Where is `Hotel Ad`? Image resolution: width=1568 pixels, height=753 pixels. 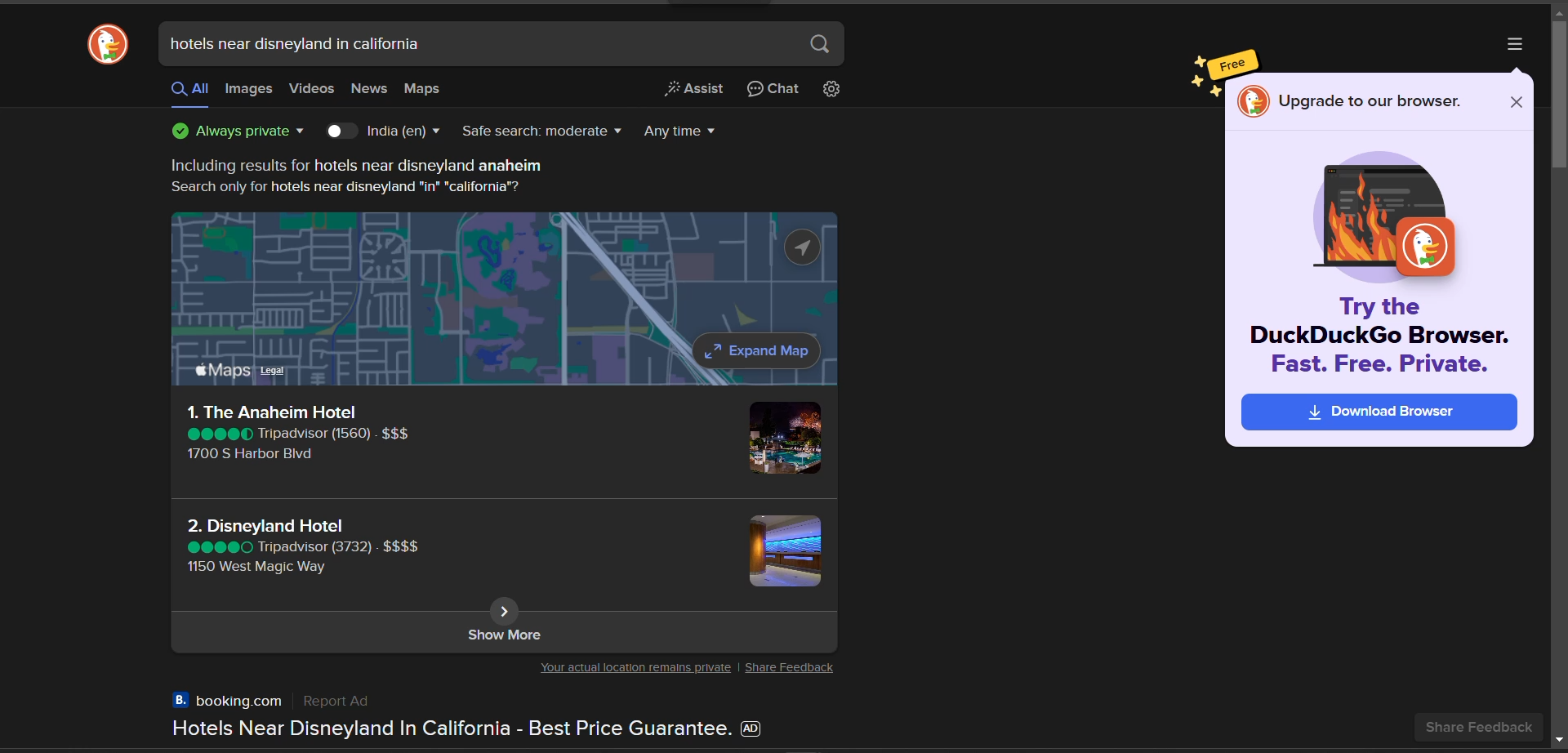
Hotel Ad is located at coordinates (458, 716).